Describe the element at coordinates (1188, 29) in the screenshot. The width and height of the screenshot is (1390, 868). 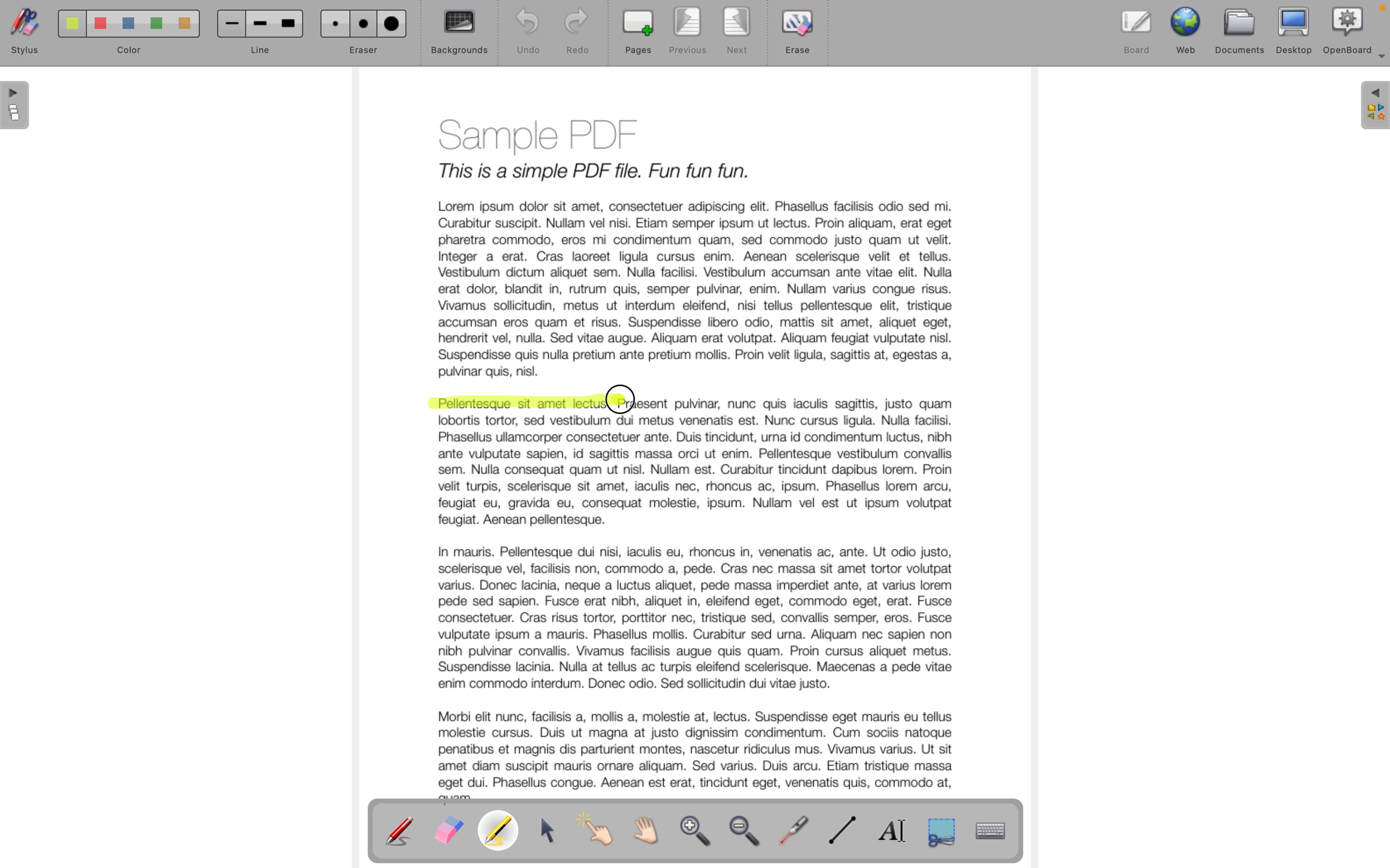
I see `web` at that location.